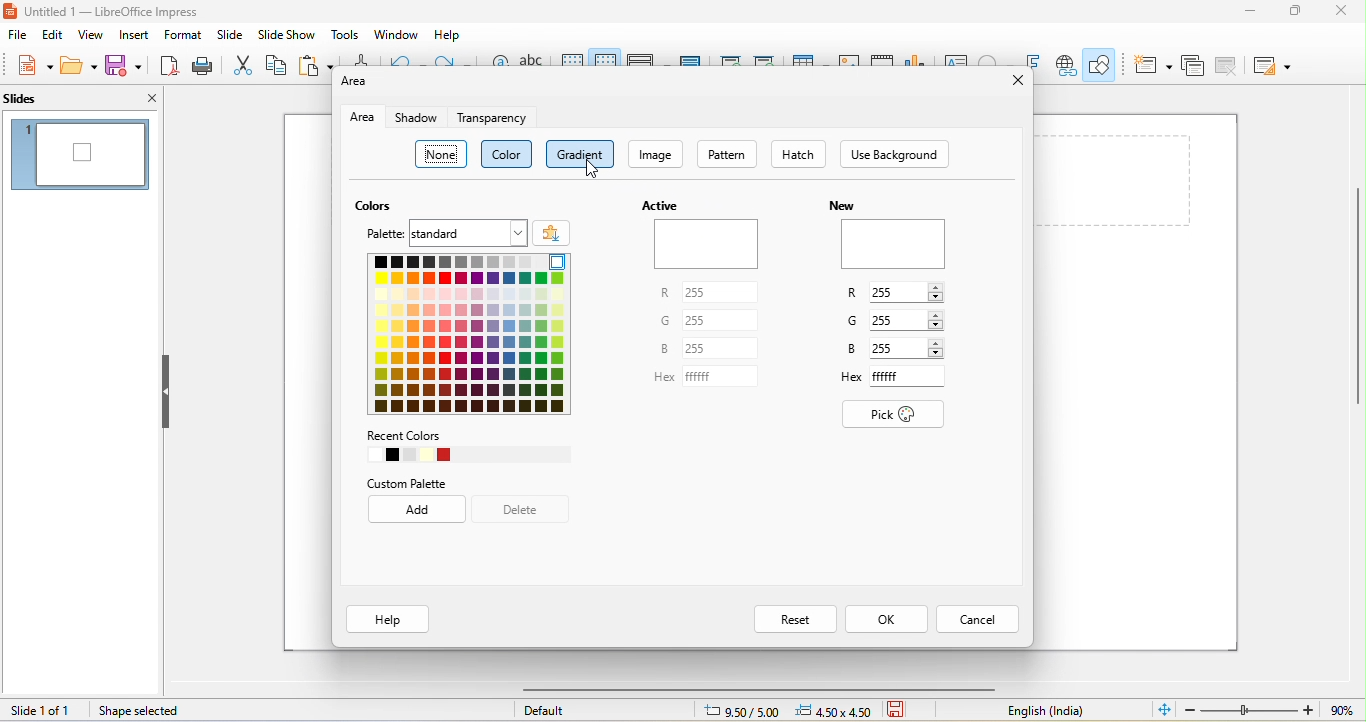  I want to click on slideshow, so click(287, 34).